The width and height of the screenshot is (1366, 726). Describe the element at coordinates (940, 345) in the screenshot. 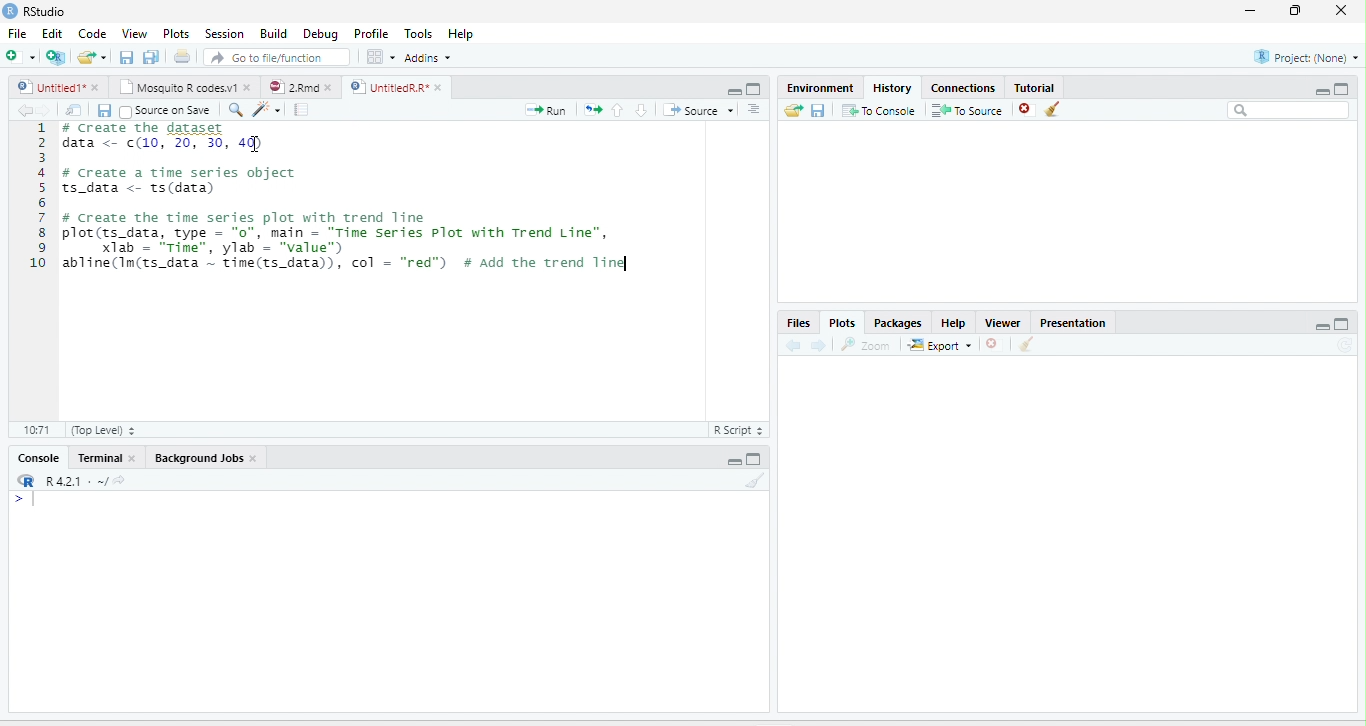

I see `Export` at that location.